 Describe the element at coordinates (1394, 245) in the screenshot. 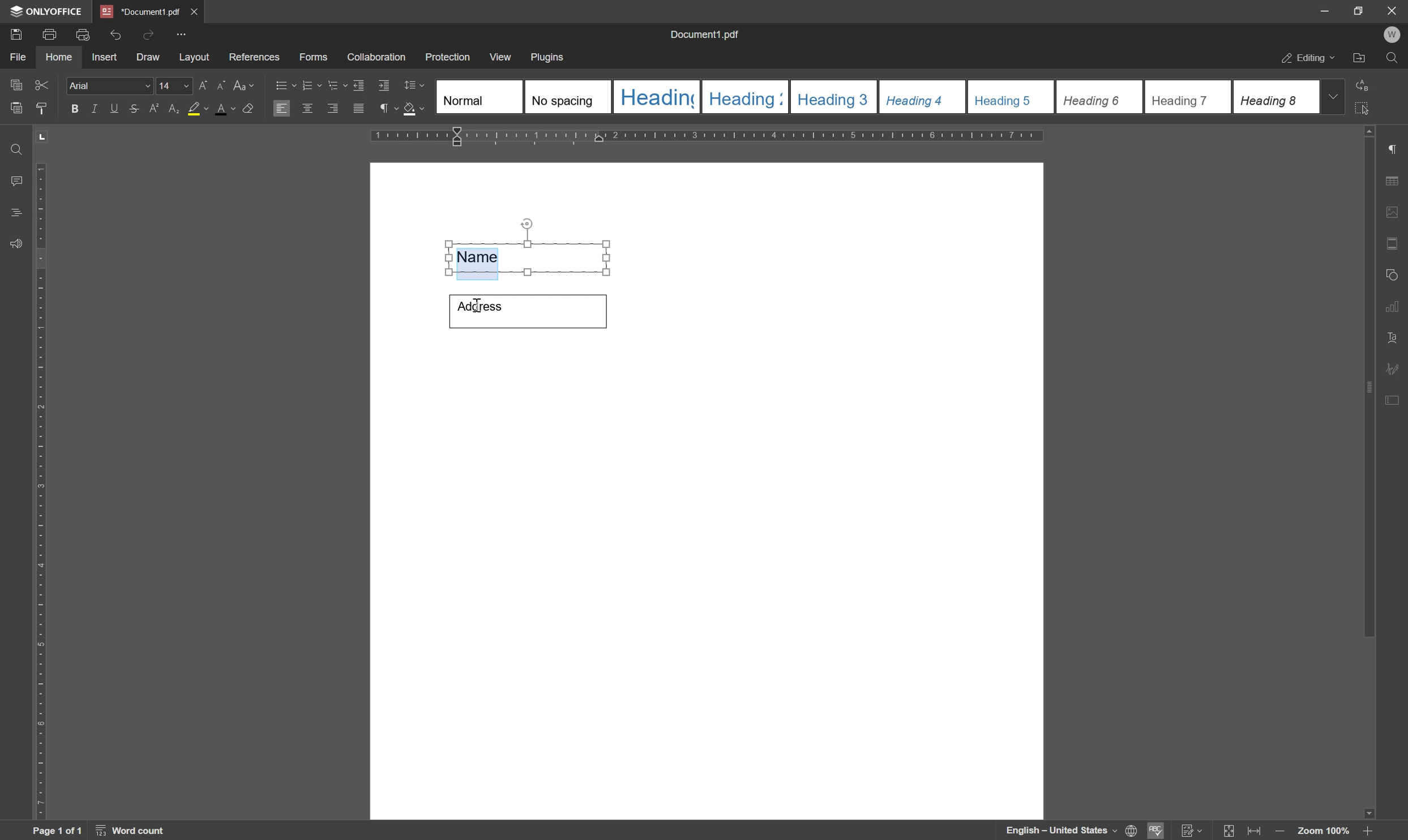

I see `header & footer` at that location.